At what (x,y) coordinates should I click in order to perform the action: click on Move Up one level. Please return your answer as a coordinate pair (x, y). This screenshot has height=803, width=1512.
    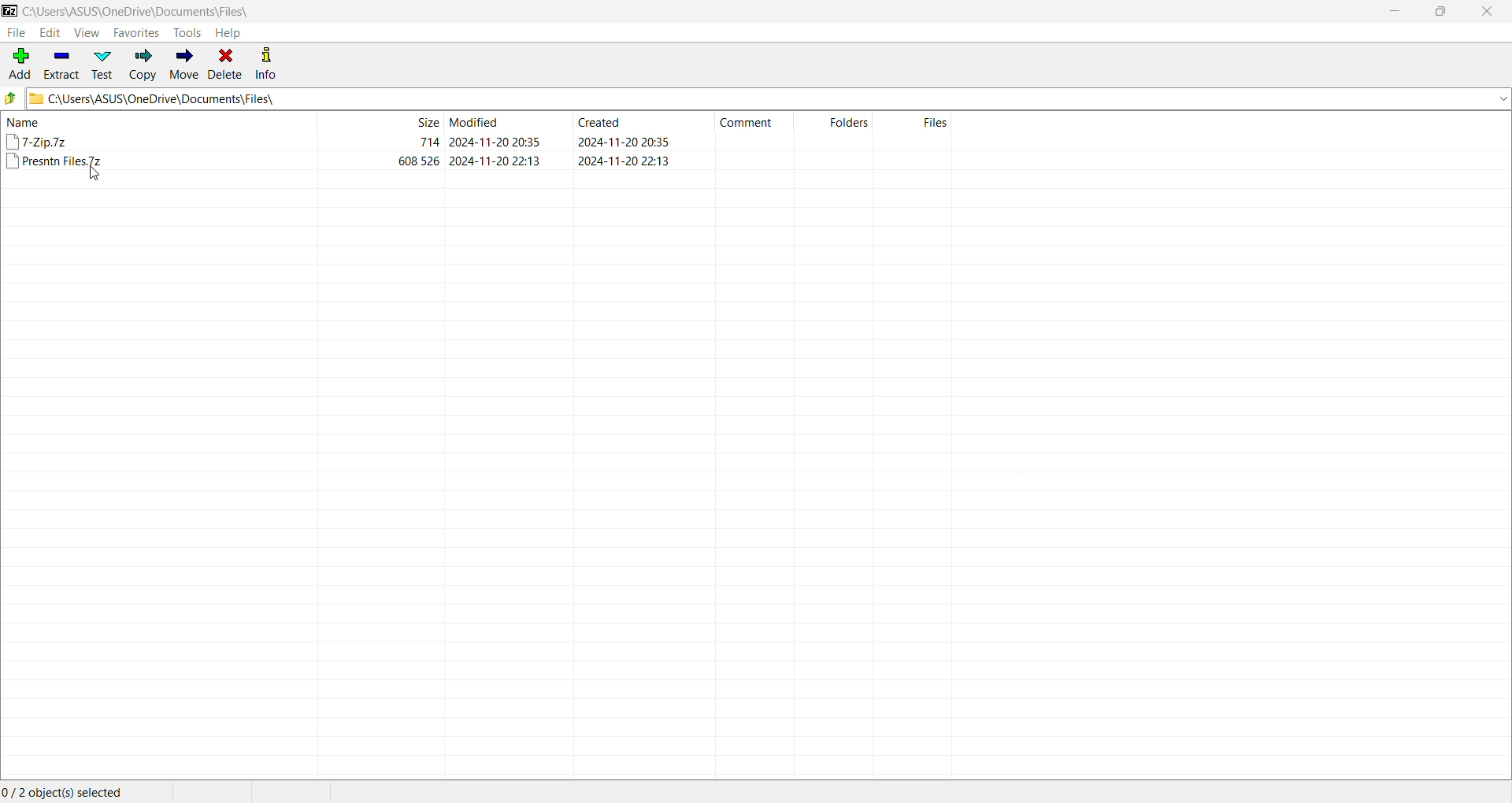
    Looking at the image, I should click on (11, 98).